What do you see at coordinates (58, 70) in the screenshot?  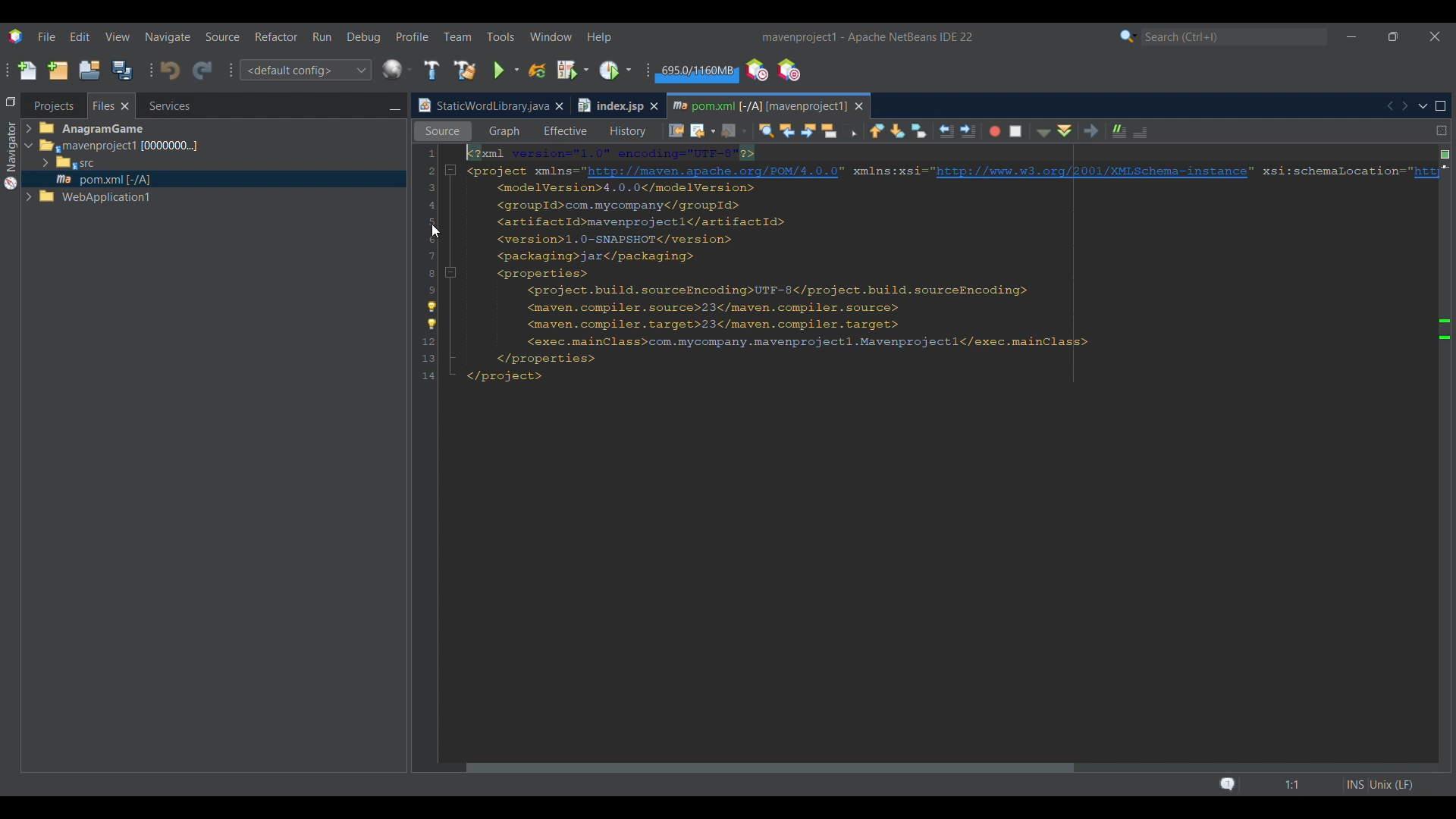 I see `New project` at bounding box center [58, 70].